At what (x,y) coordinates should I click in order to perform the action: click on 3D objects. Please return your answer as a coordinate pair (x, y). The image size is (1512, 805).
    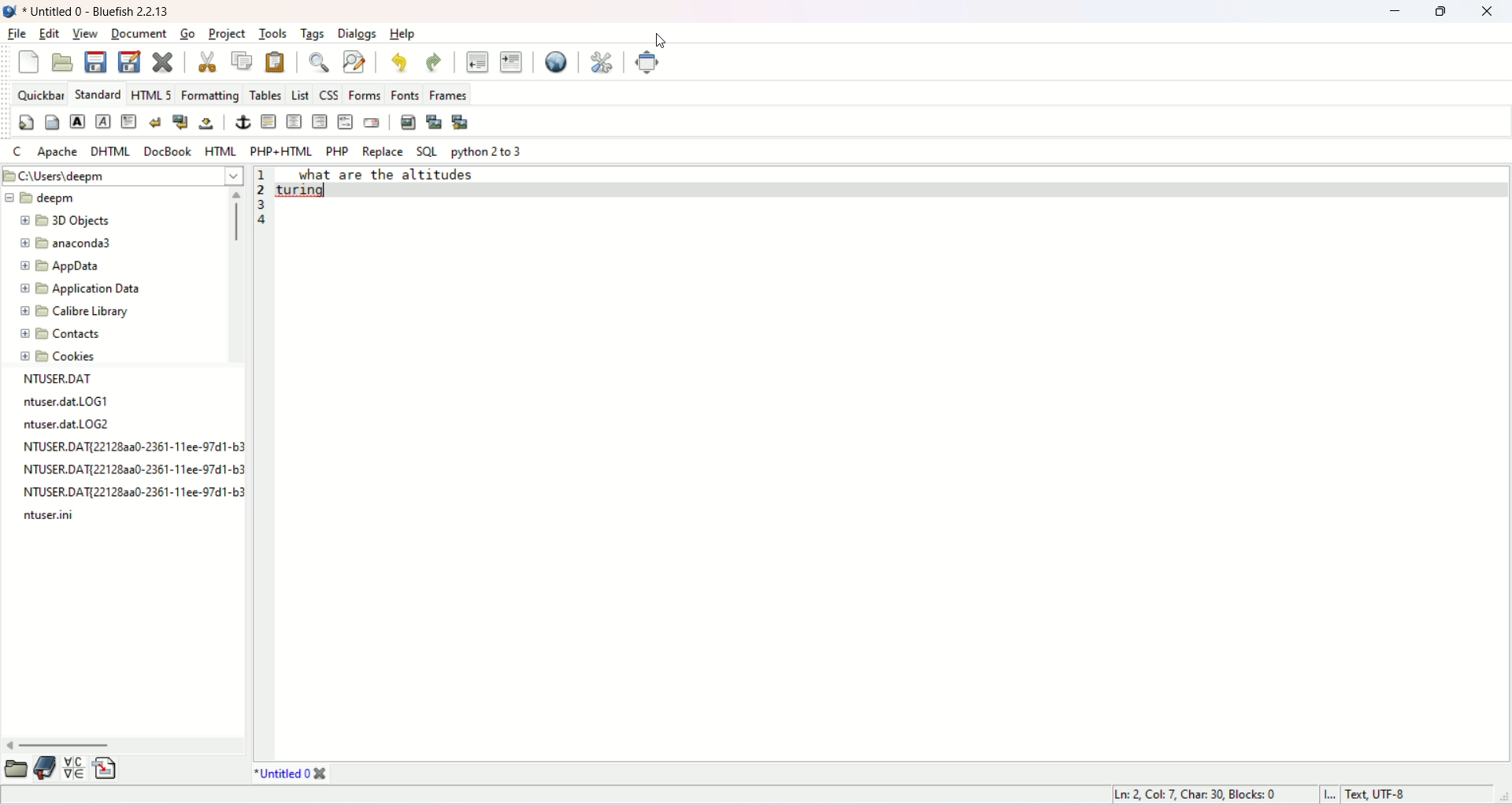
    Looking at the image, I should click on (64, 222).